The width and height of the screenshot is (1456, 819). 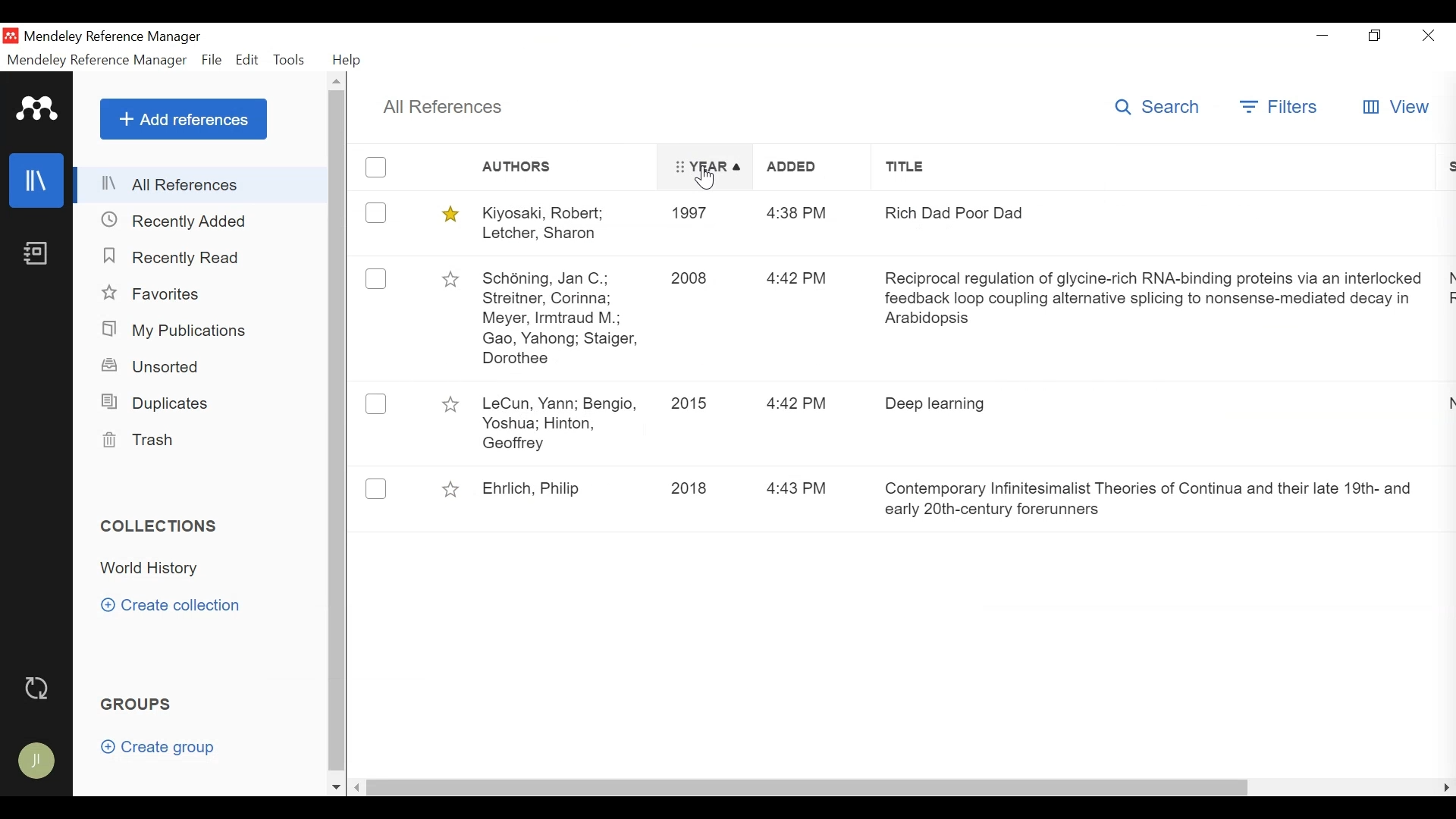 I want to click on Create Collection, so click(x=177, y=605).